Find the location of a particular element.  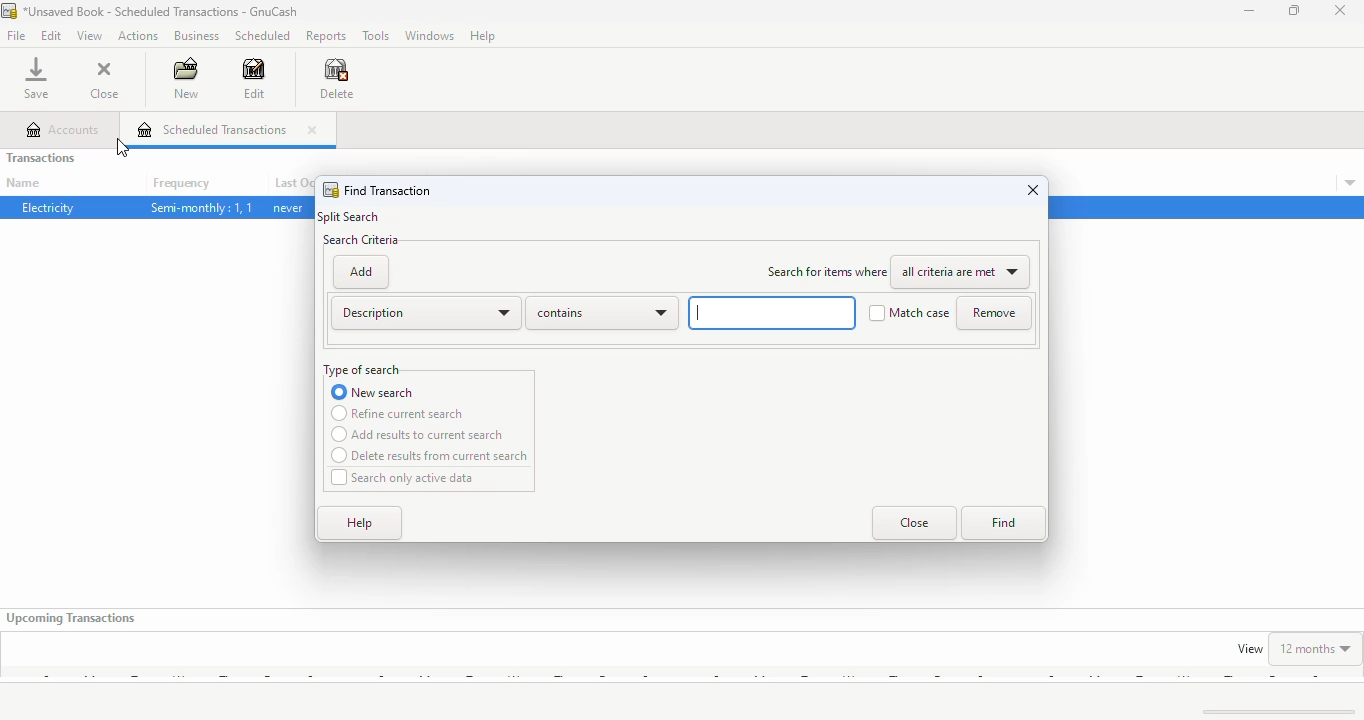

title is located at coordinates (162, 11).